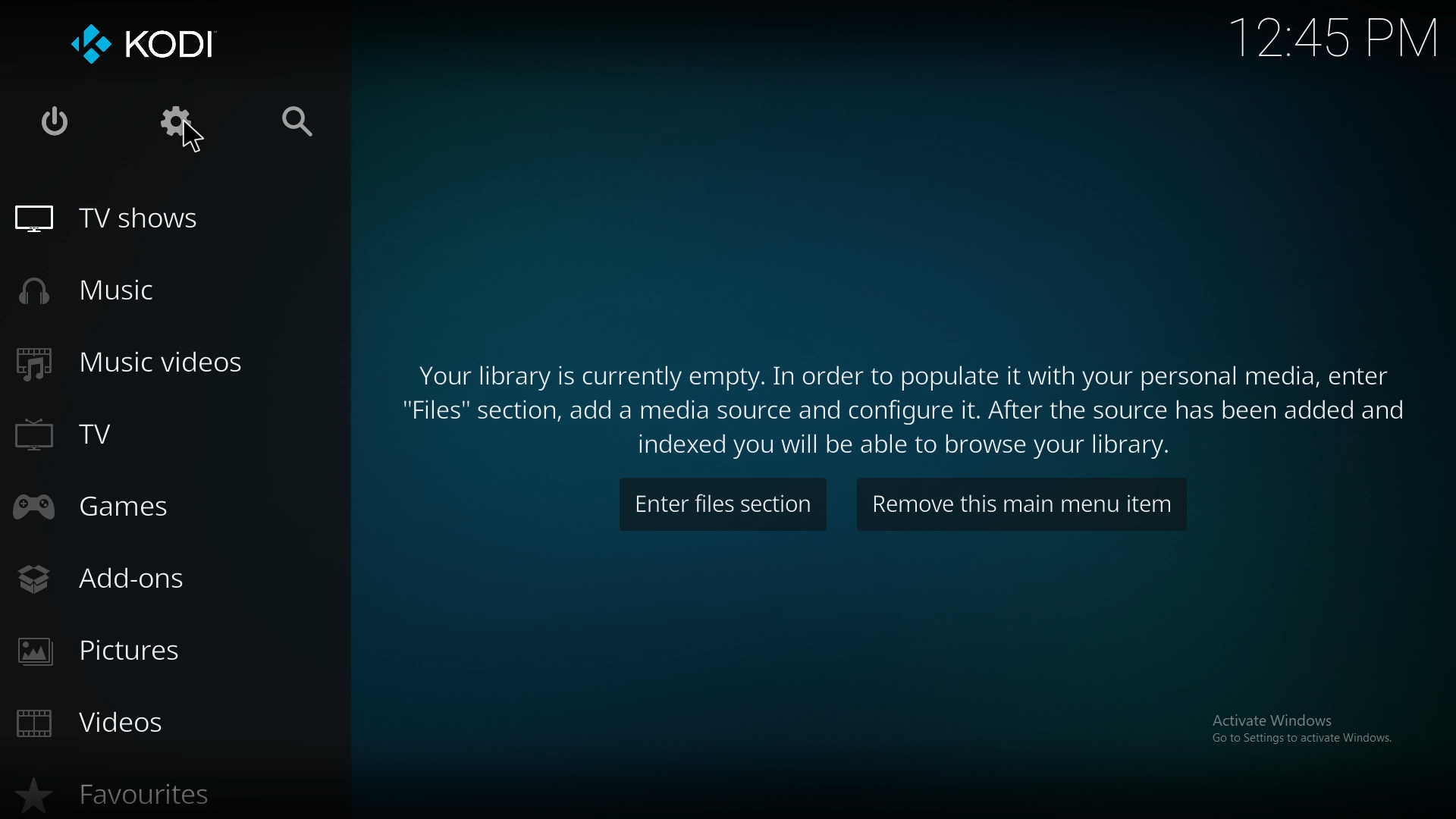 This screenshot has width=1456, height=819. What do you see at coordinates (142, 793) in the screenshot?
I see `favourites` at bounding box center [142, 793].